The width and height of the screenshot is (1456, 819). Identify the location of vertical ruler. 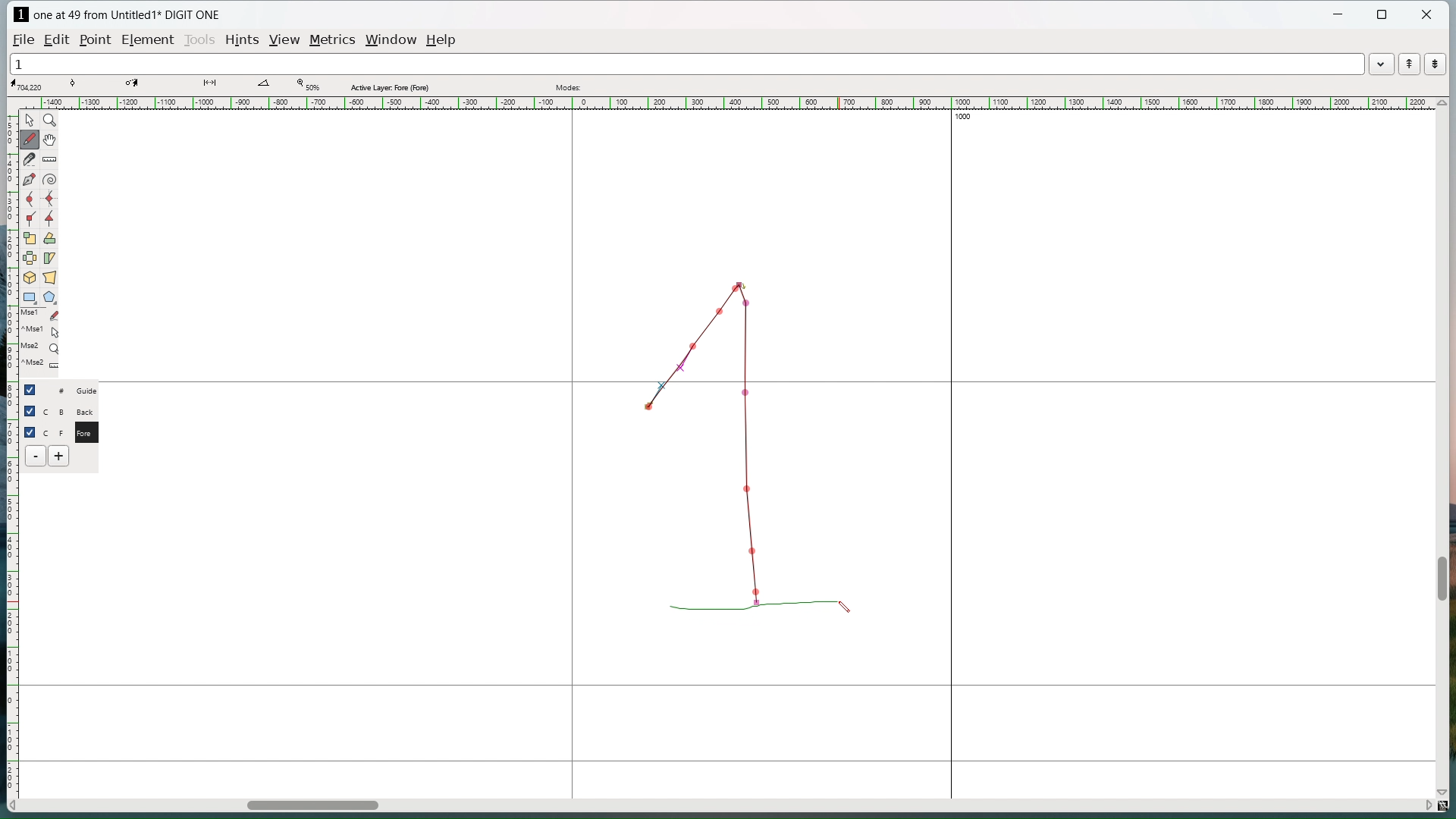
(11, 446).